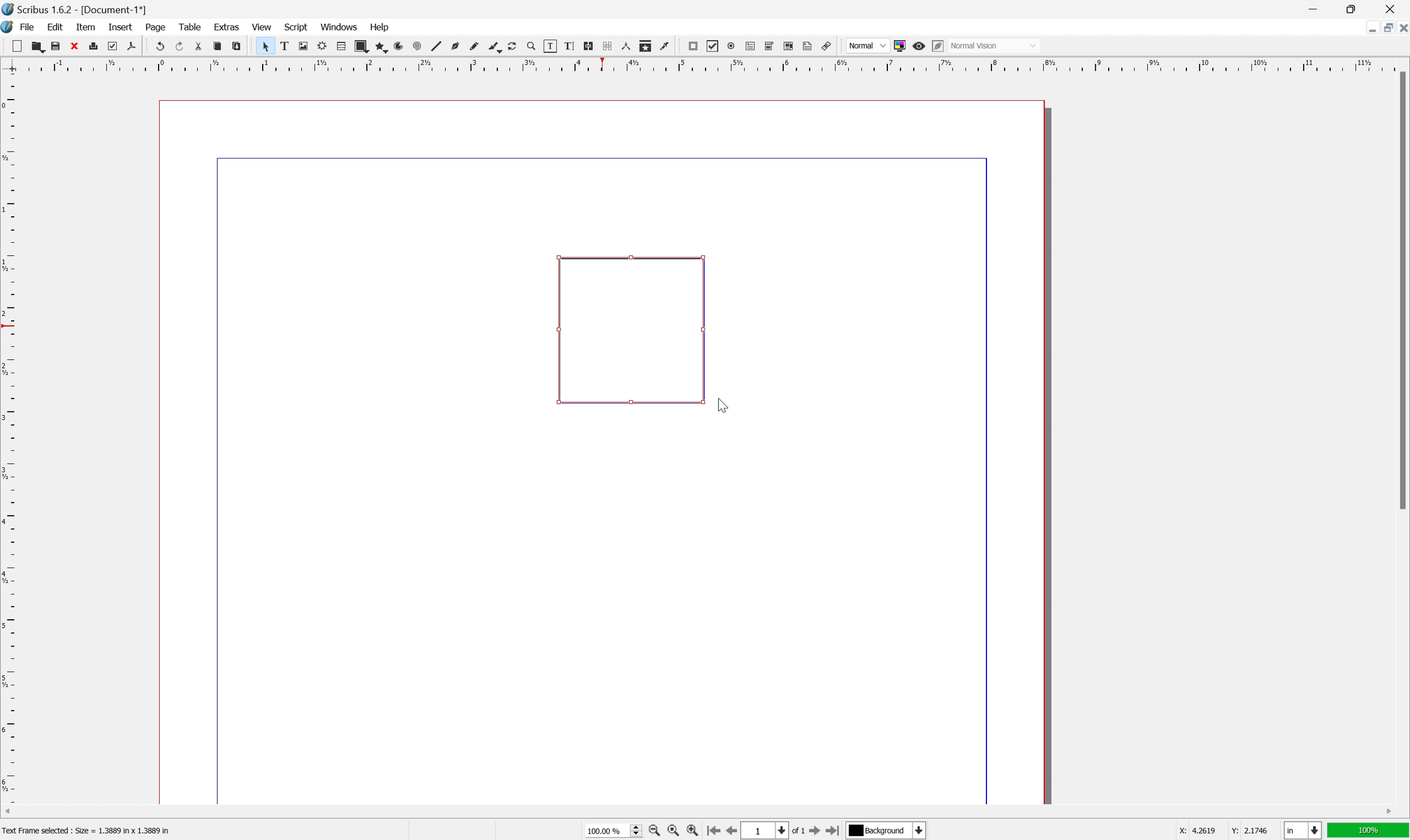 The image size is (1410, 840). I want to click on zoom out, so click(653, 831).